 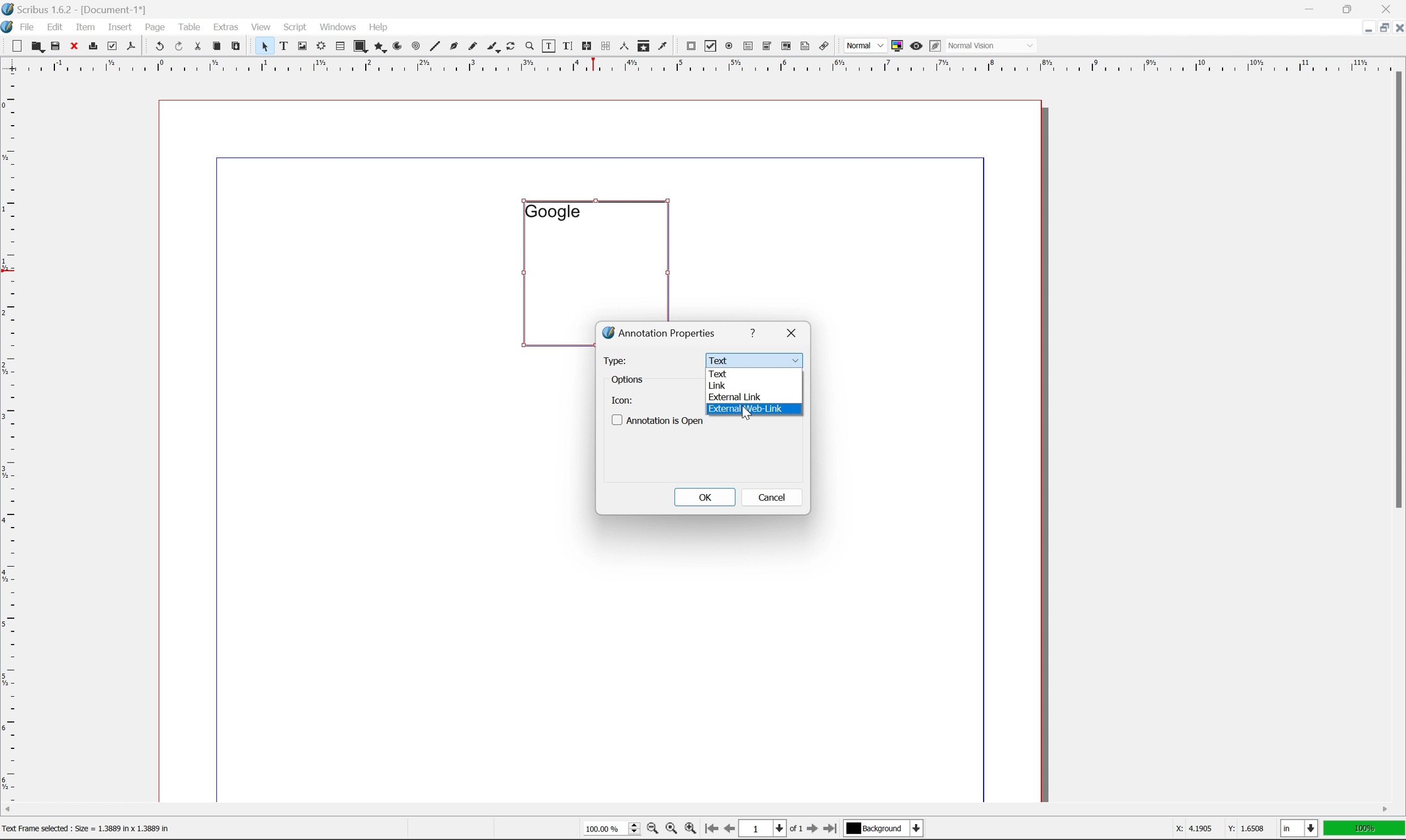 I want to click on 100%, so click(x=1365, y=829).